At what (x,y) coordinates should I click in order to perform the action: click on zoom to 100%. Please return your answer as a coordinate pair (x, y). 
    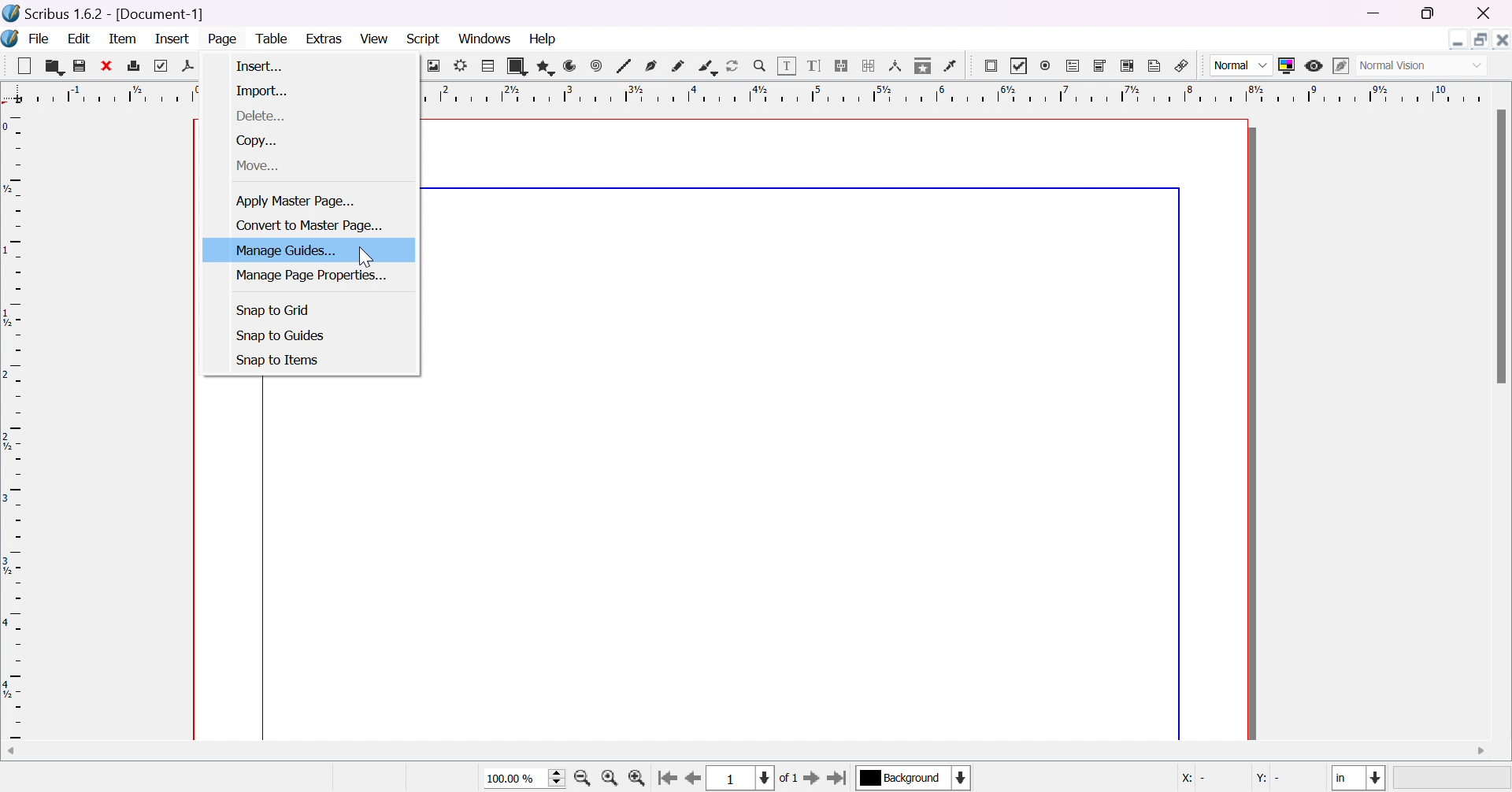
    Looking at the image, I should click on (610, 777).